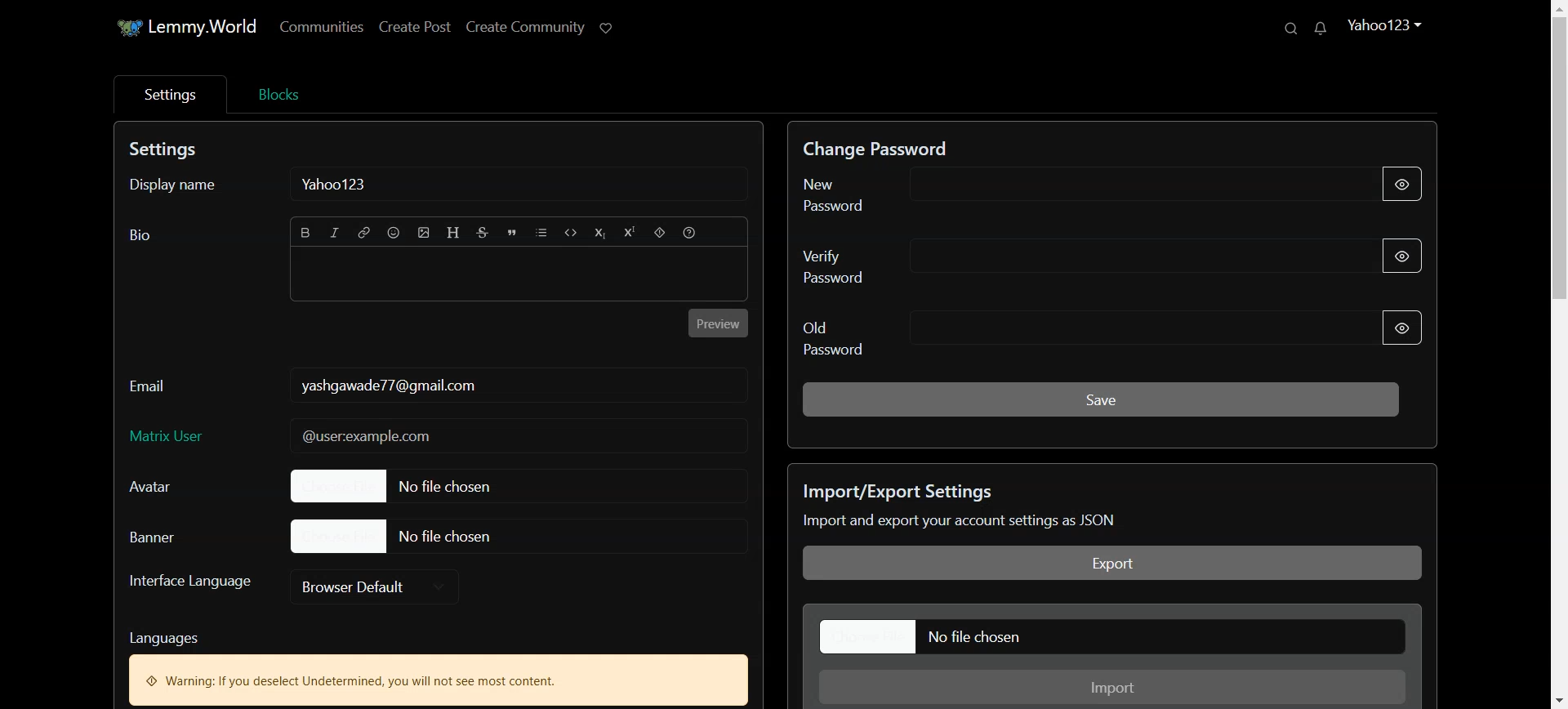 The image size is (1568, 709). I want to click on Save, so click(1101, 398).